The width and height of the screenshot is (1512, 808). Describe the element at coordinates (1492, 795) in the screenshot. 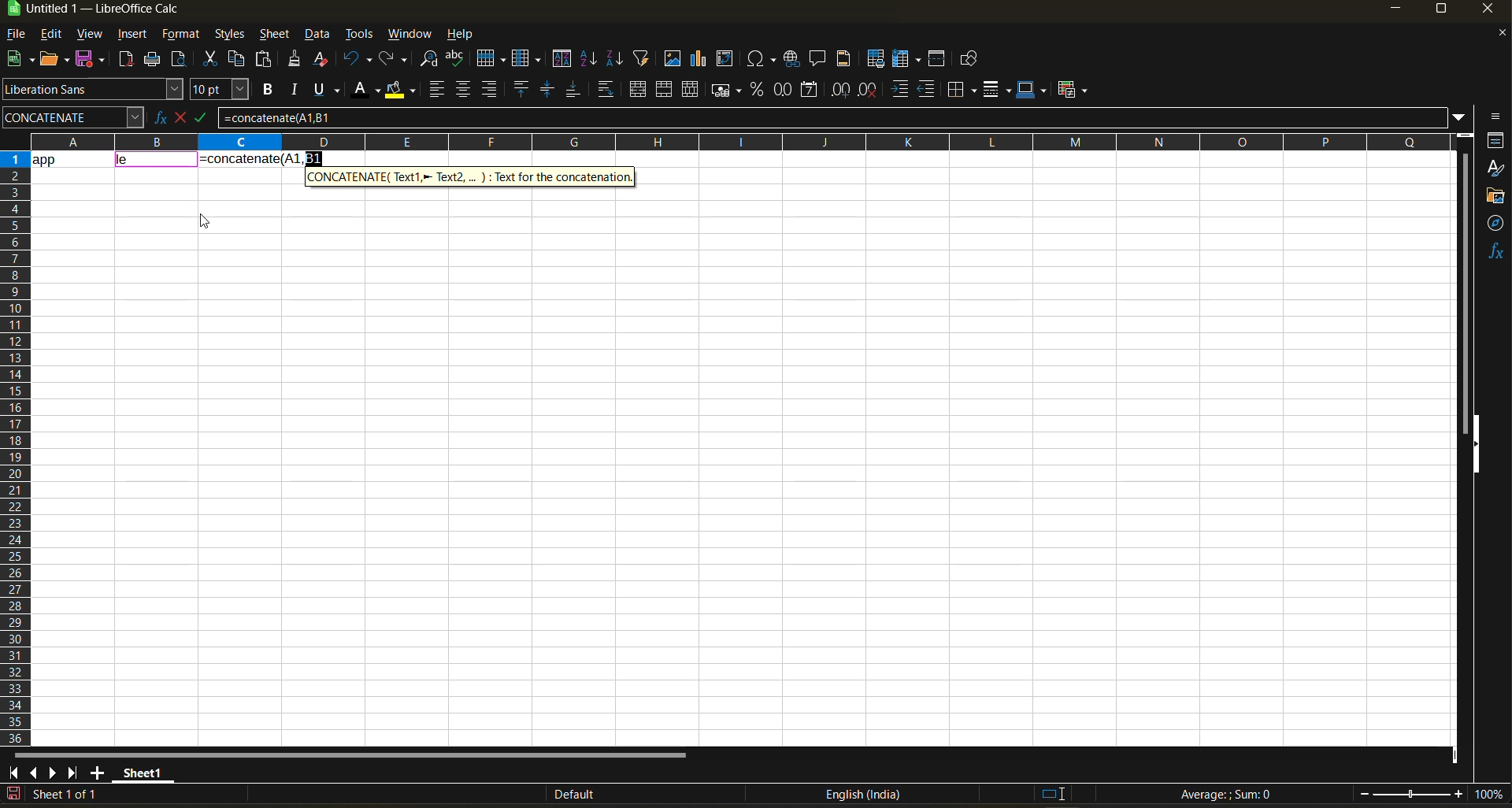

I see `zoom factor` at that location.